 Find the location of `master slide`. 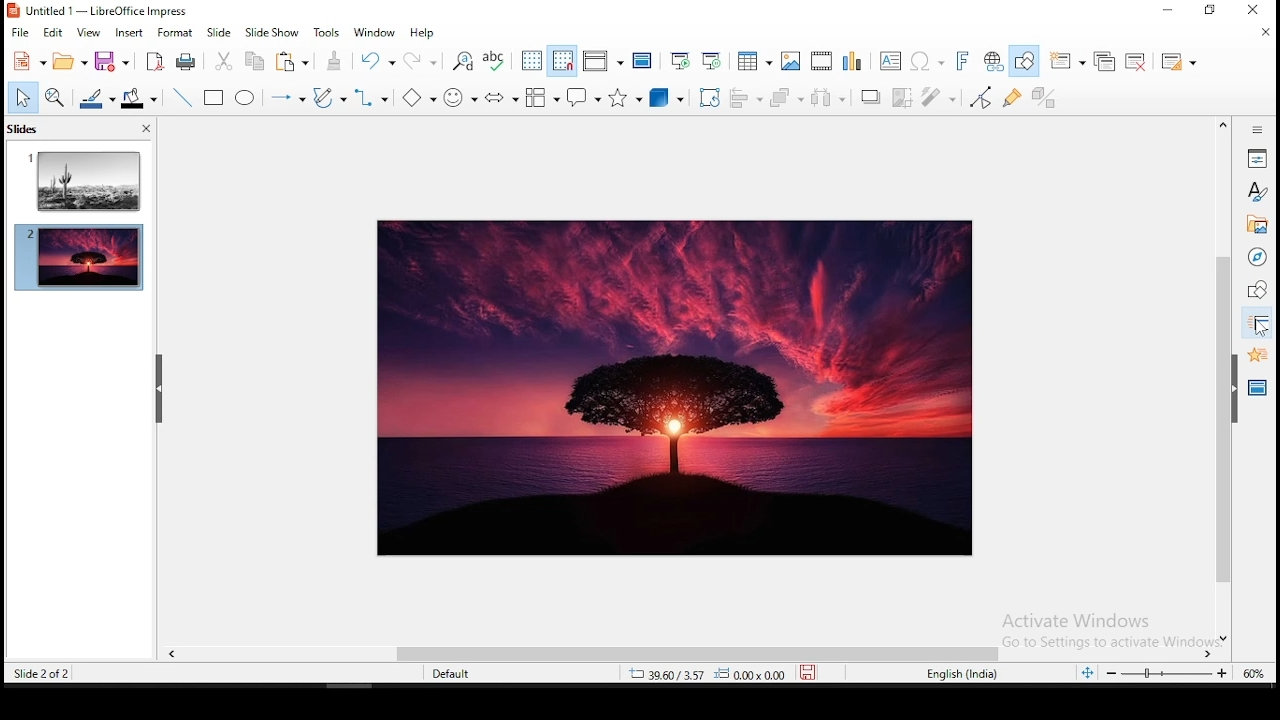

master slide is located at coordinates (643, 63).